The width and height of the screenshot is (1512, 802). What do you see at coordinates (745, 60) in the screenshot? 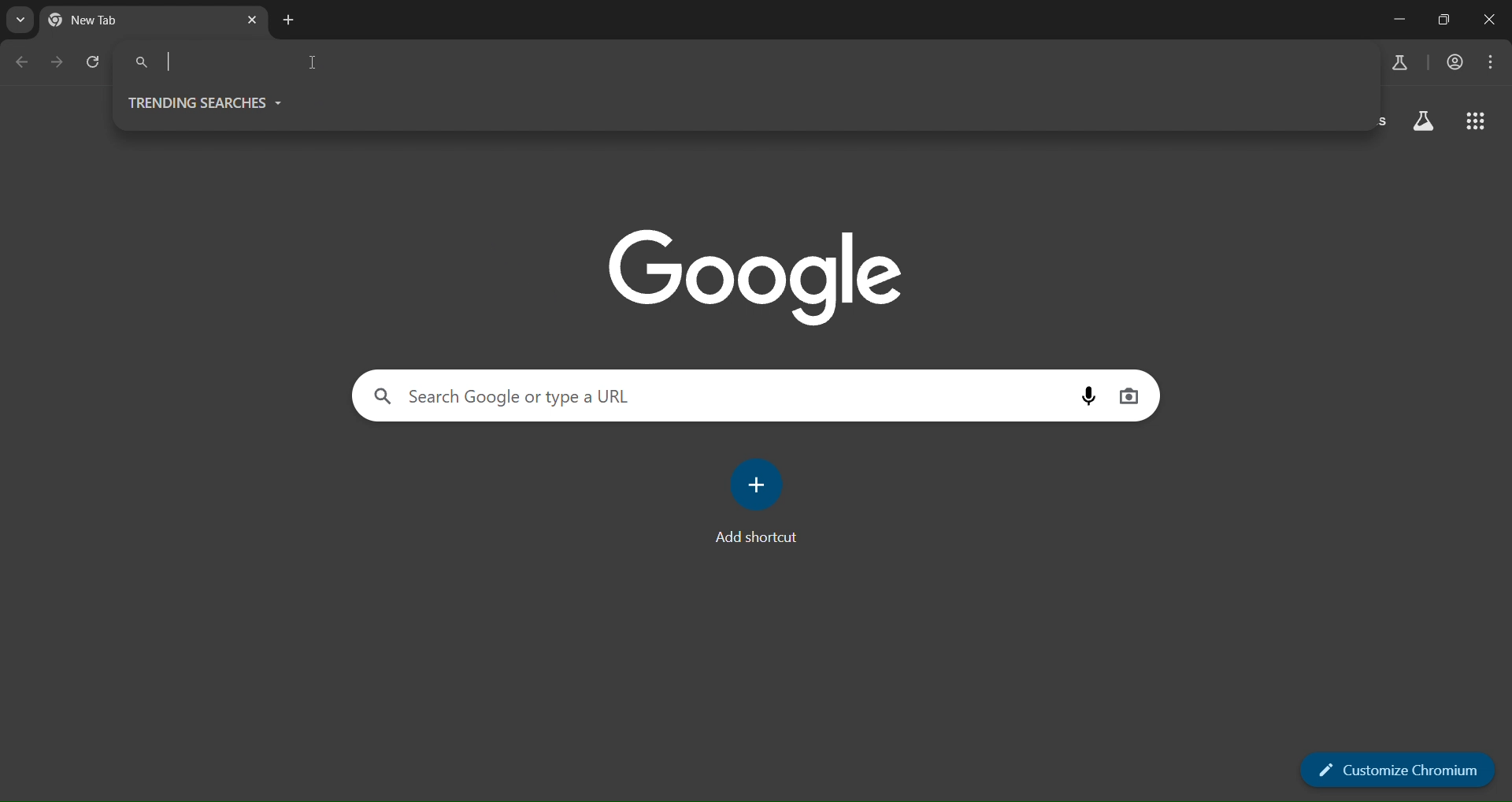
I see `Search Google or type a URL` at bounding box center [745, 60].